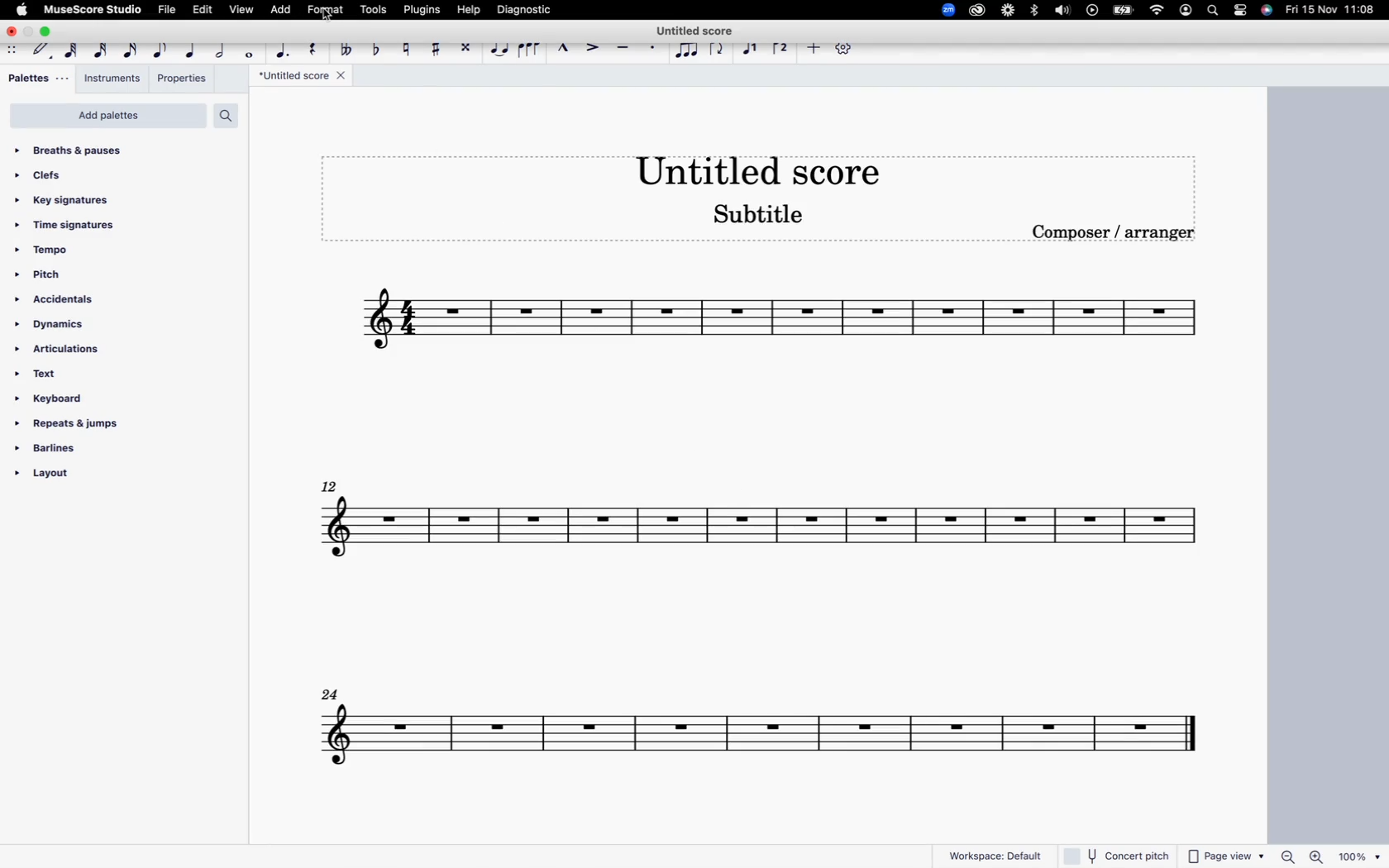 The image size is (1389, 868). I want to click on format, so click(326, 12).